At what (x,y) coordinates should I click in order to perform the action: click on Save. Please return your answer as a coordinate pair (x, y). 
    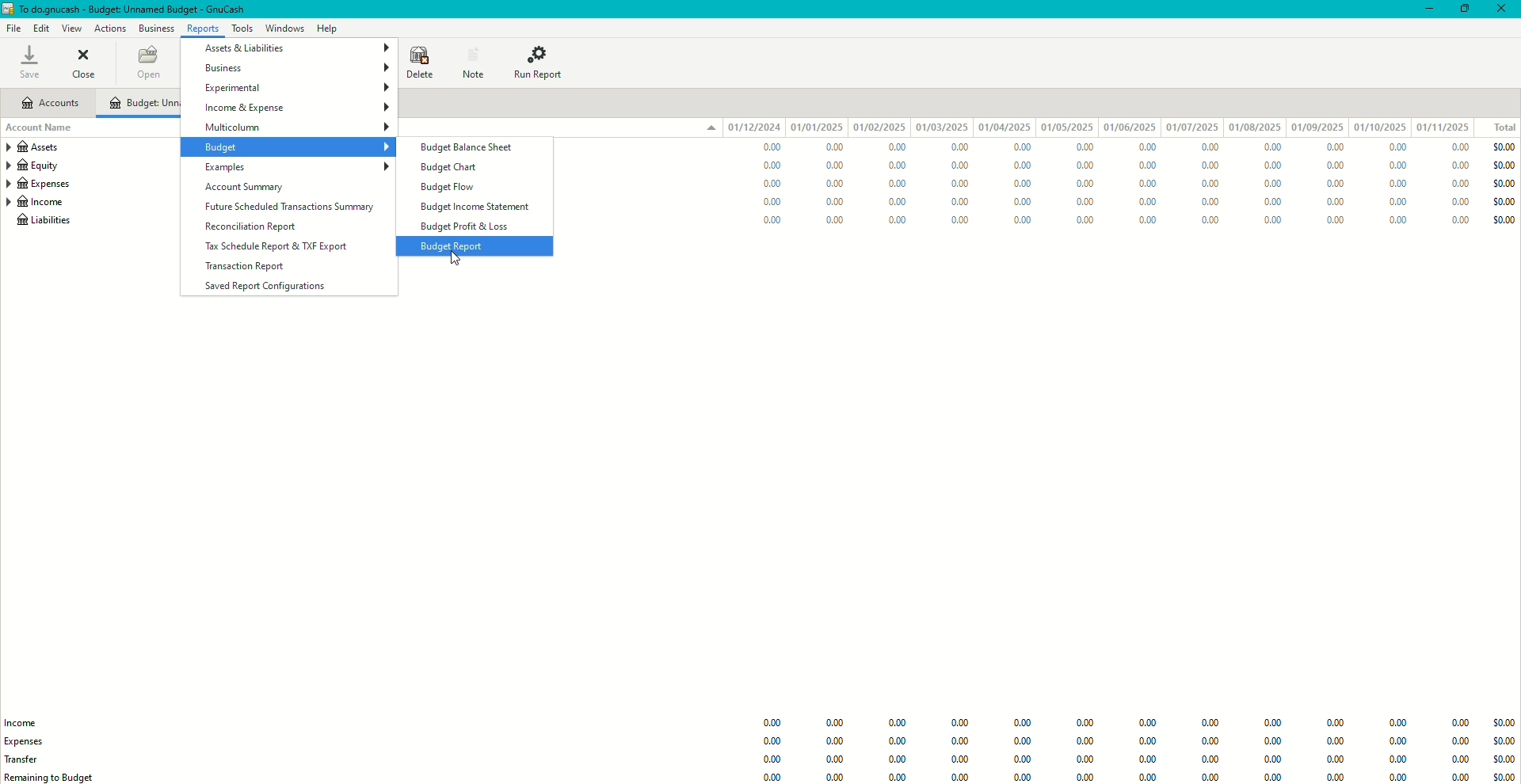
    Looking at the image, I should click on (29, 62).